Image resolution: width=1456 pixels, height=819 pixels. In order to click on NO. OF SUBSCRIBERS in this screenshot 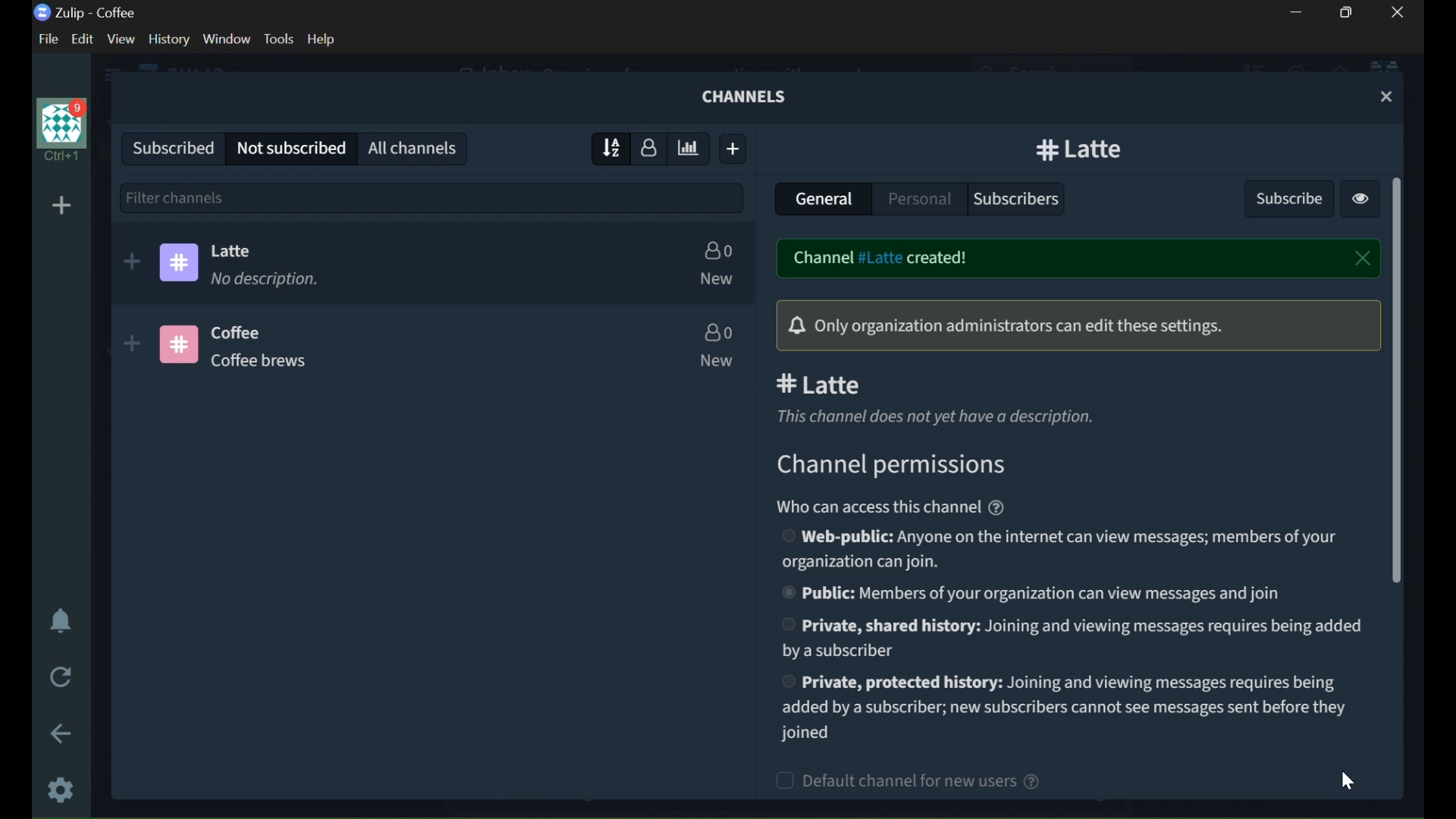, I will do `click(722, 332)`.